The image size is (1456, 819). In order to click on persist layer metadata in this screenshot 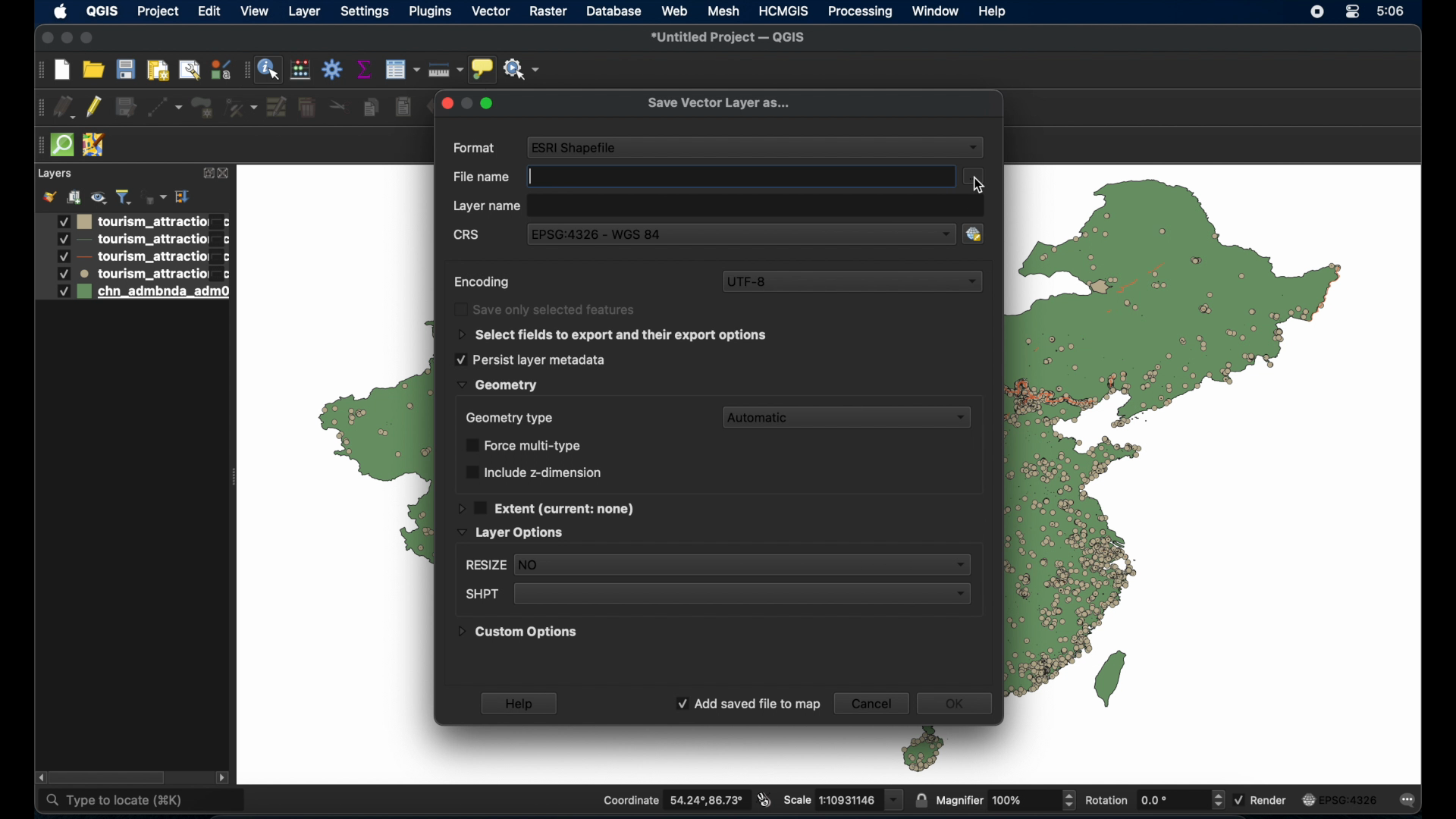, I will do `click(530, 359)`.